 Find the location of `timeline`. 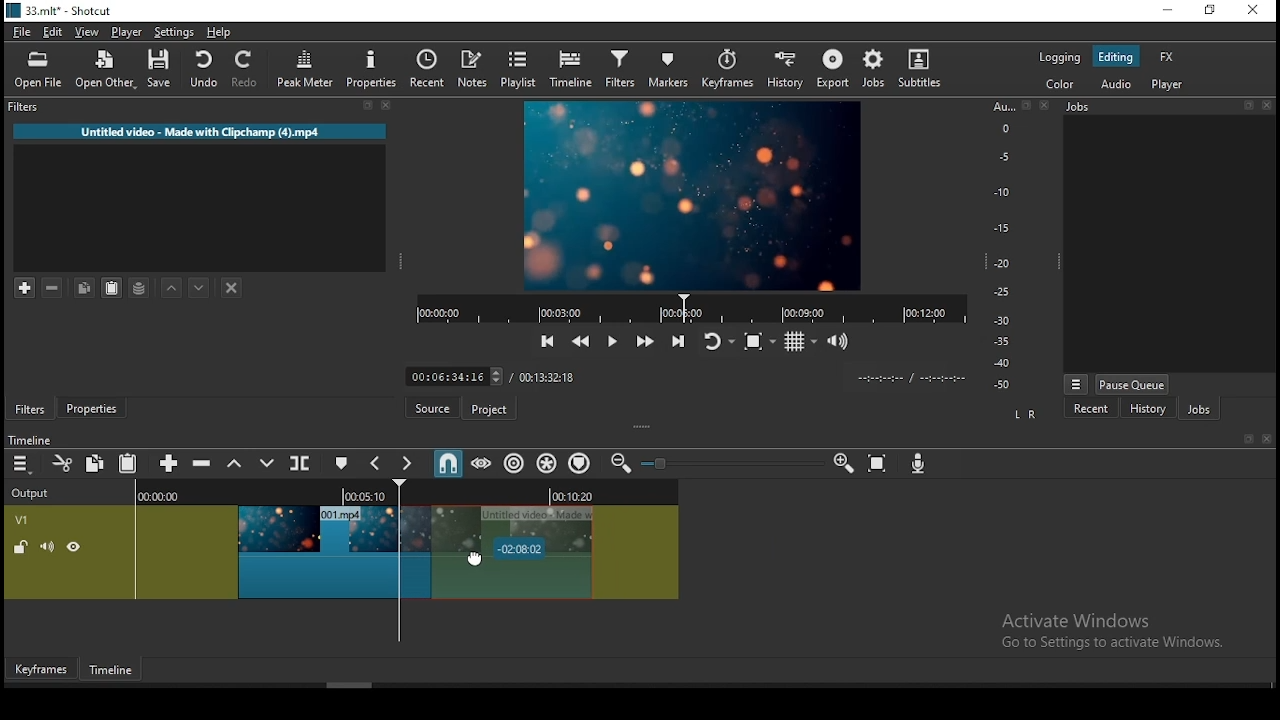

timeline is located at coordinates (571, 70).